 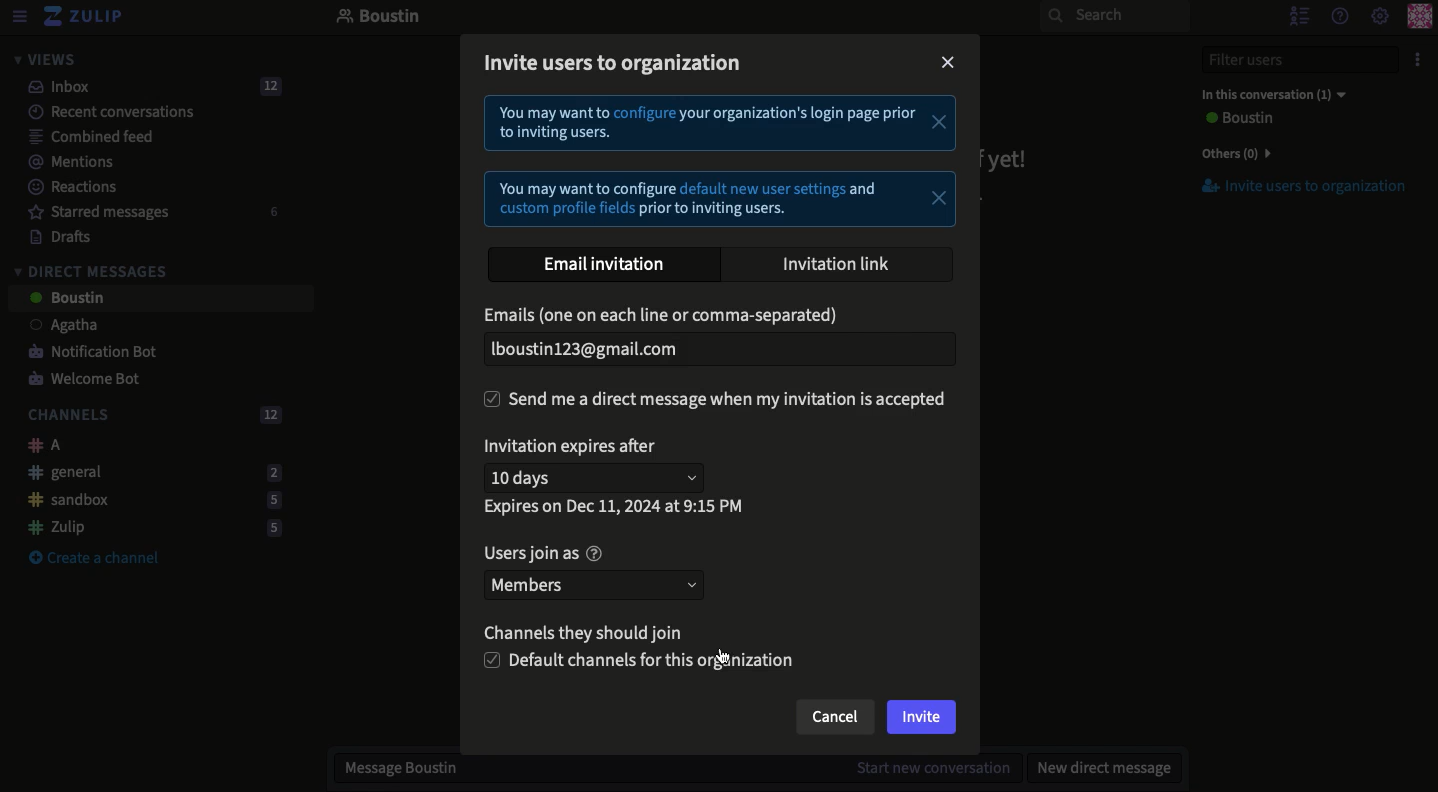 What do you see at coordinates (94, 559) in the screenshot?
I see `Create a channel` at bounding box center [94, 559].